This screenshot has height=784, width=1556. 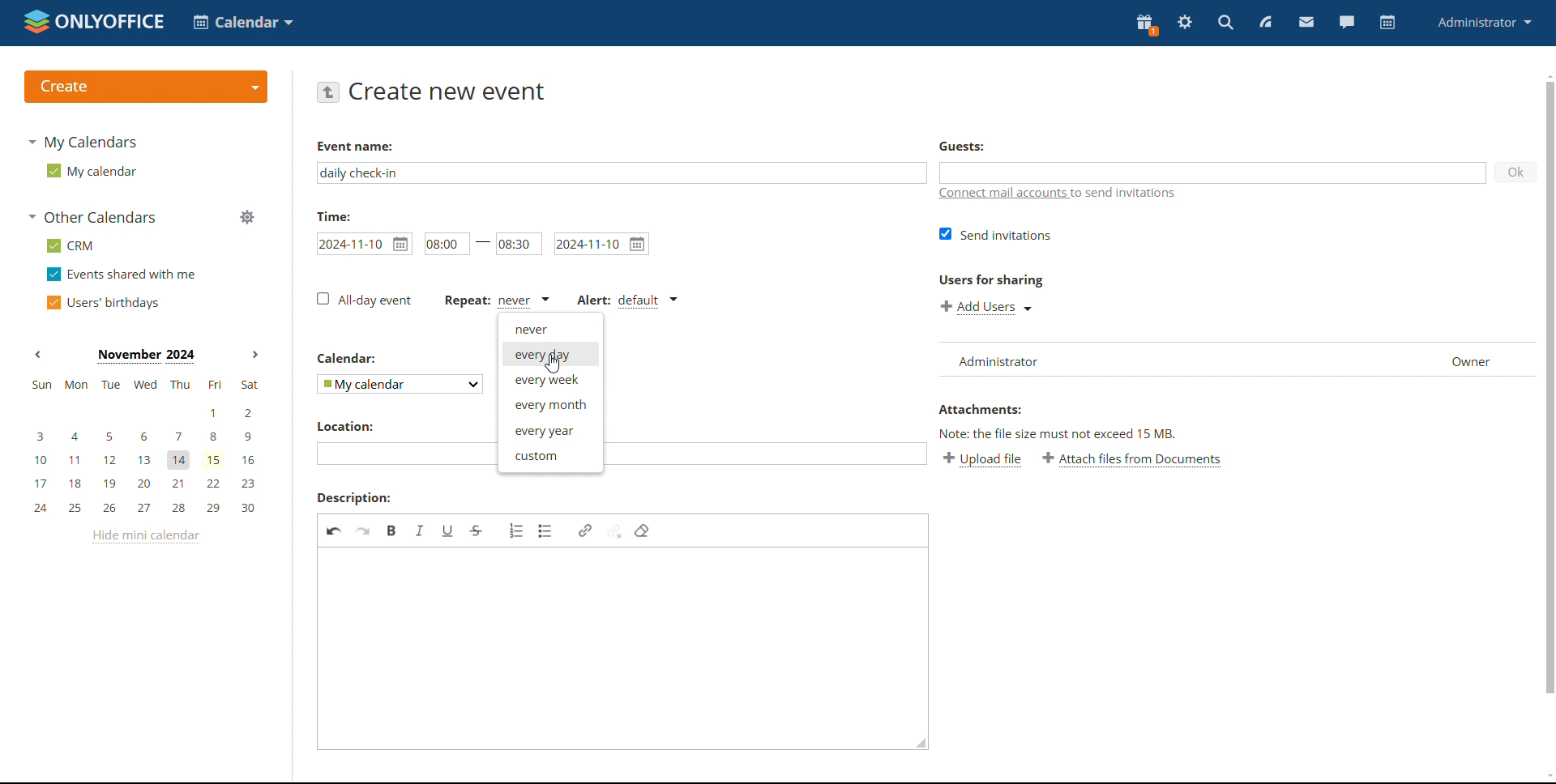 I want to click on next month, so click(x=254, y=355).